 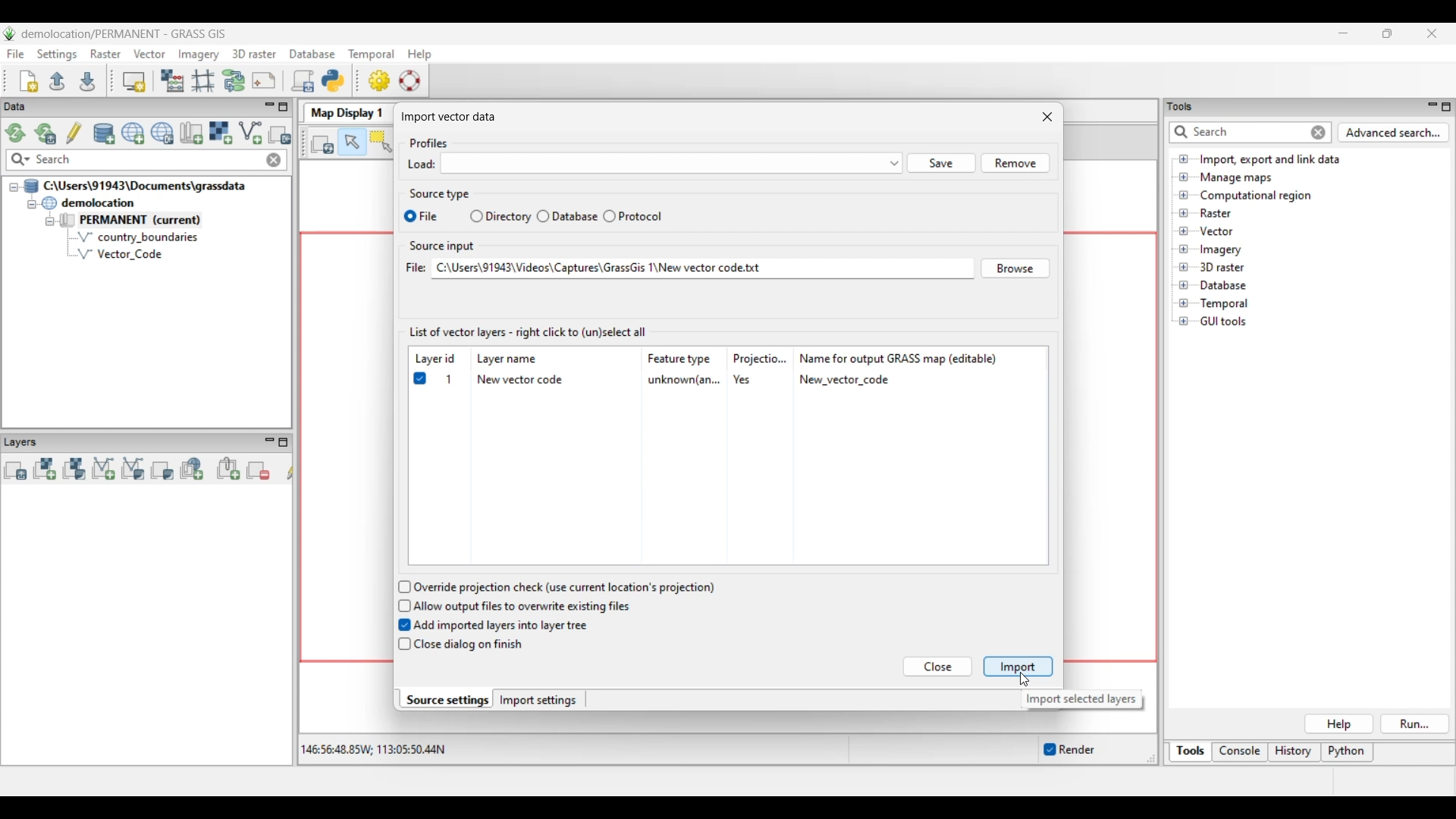 What do you see at coordinates (345, 111) in the screenshot?
I see `Map Display 1 tab` at bounding box center [345, 111].